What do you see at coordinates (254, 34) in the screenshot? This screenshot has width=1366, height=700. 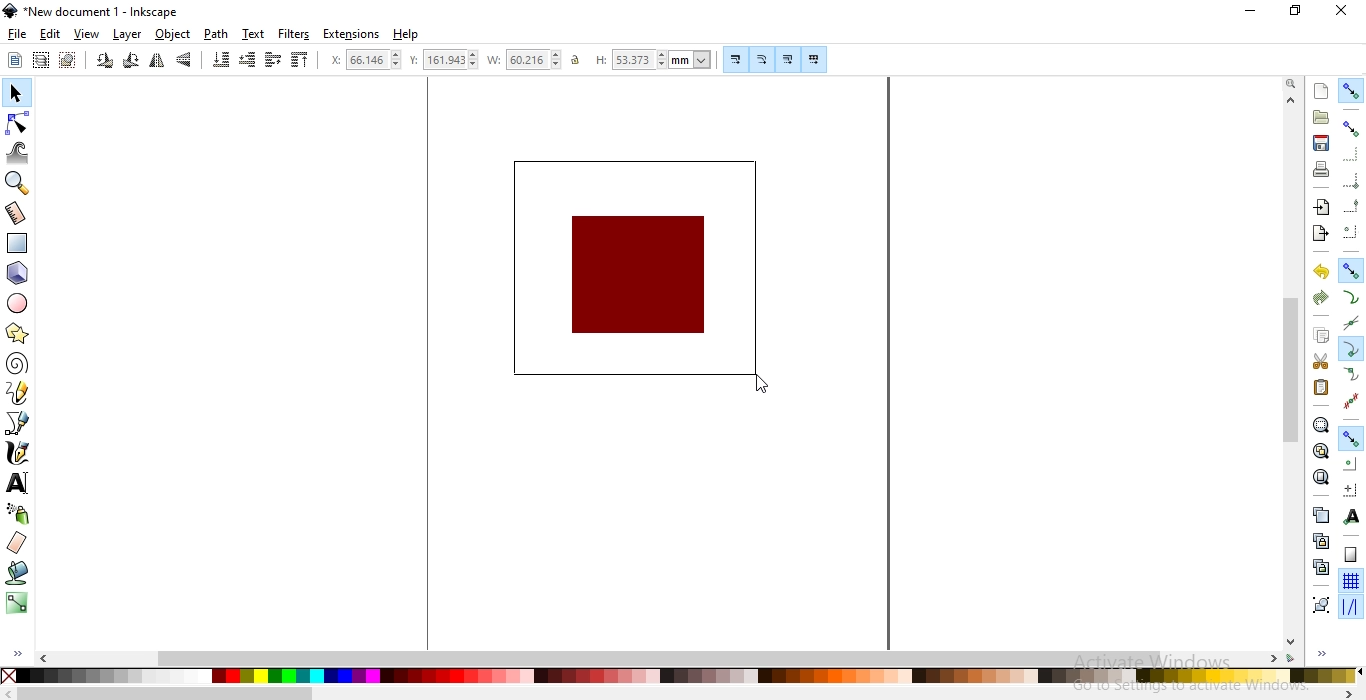 I see `text` at bounding box center [254, 34].